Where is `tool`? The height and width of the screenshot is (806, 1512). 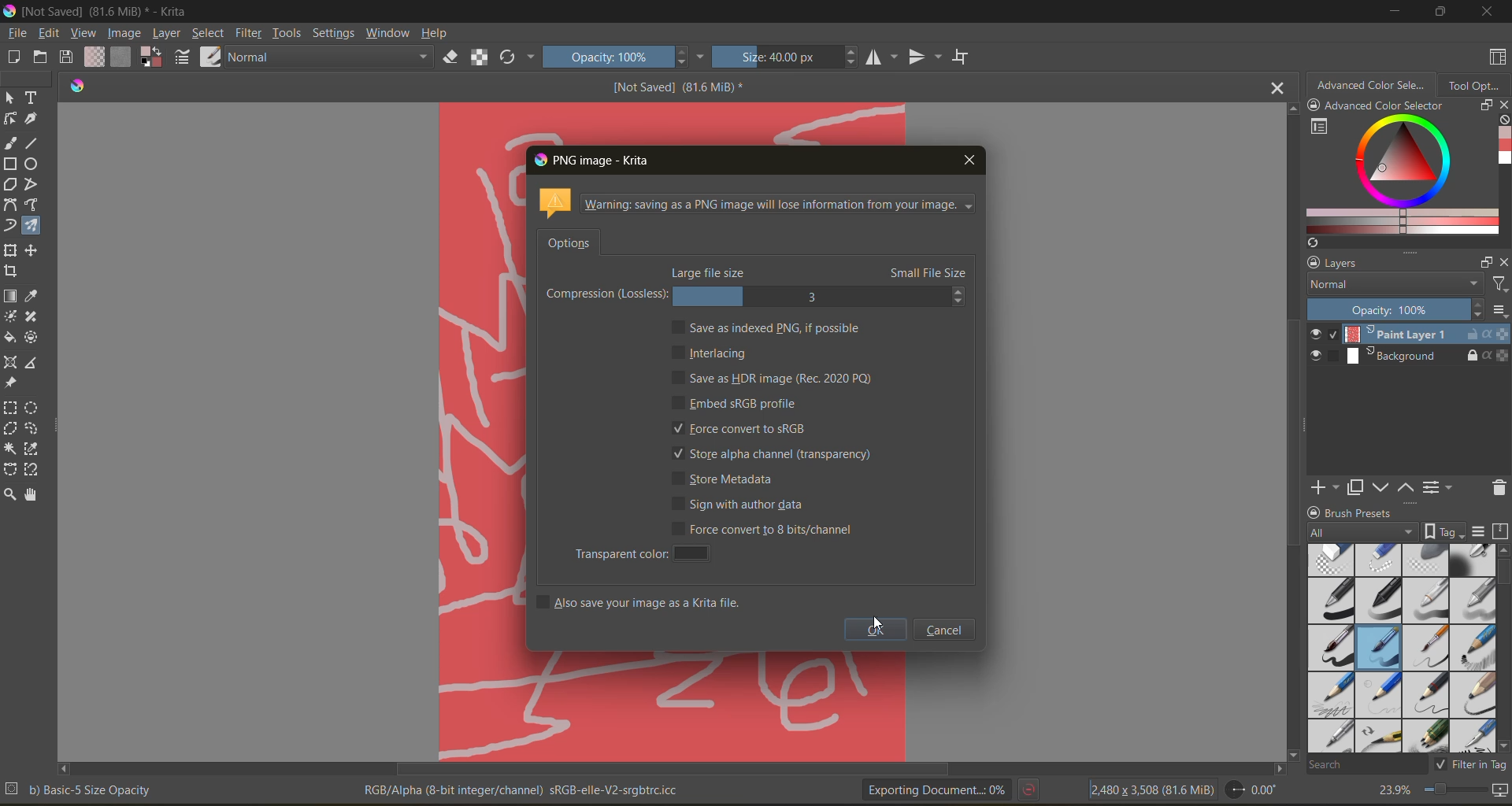
tool is located at coordinates (35, 205).